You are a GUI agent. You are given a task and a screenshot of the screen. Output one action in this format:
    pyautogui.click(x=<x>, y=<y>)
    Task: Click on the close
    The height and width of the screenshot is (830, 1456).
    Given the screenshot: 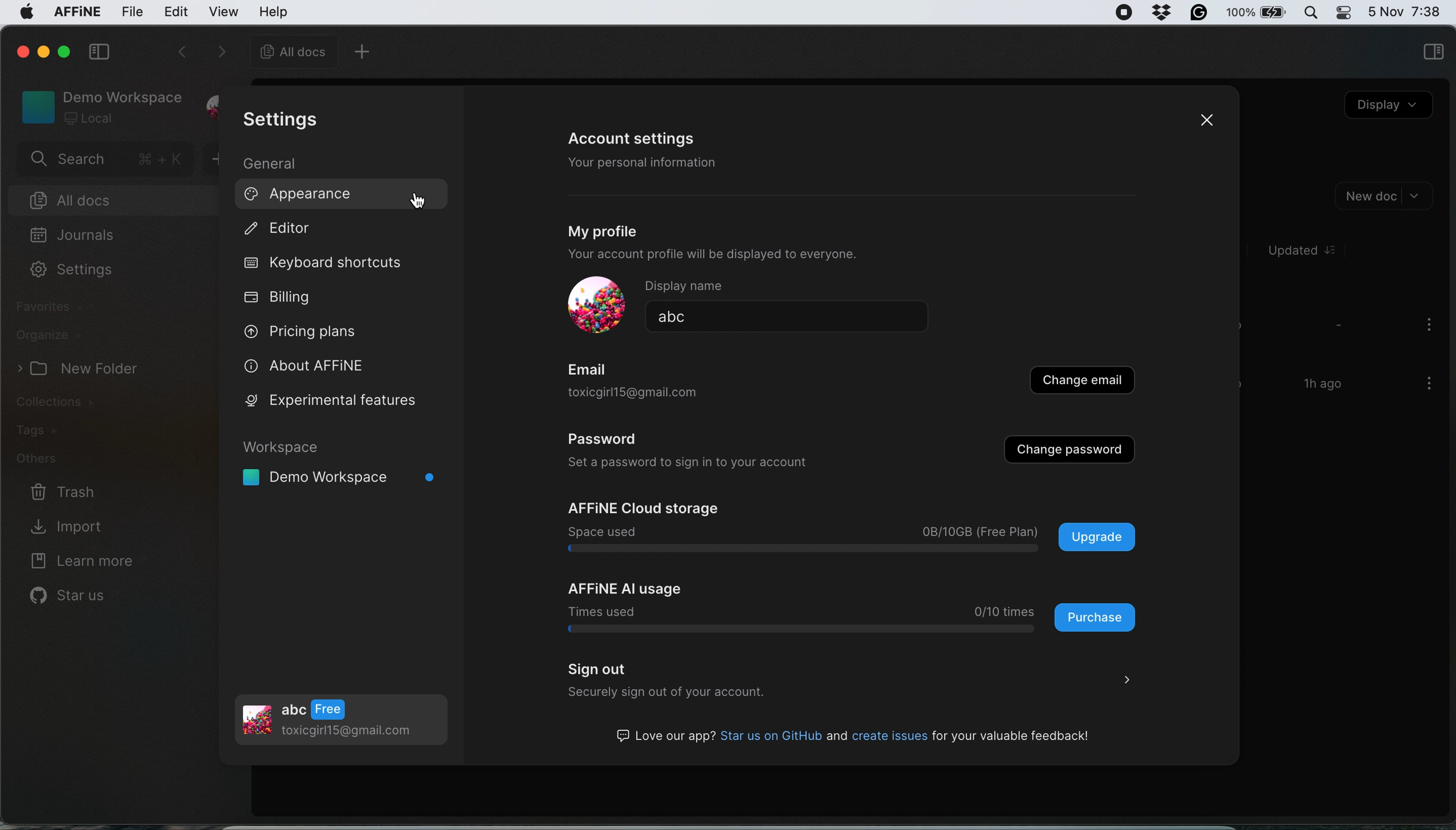 What is the action you would take?
    pyautogui.click(x=1206, y=119)
    